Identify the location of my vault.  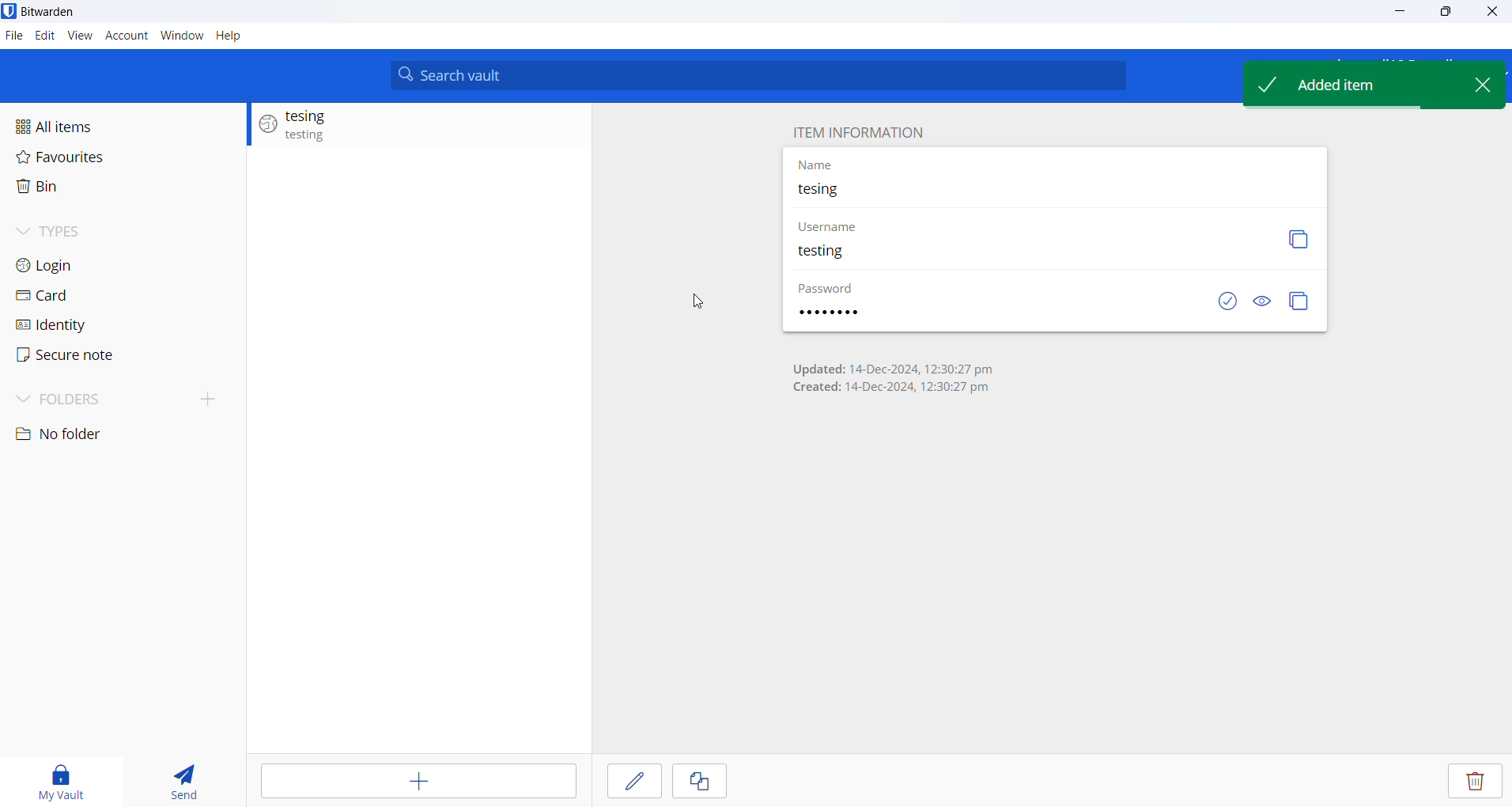
(55, 779).